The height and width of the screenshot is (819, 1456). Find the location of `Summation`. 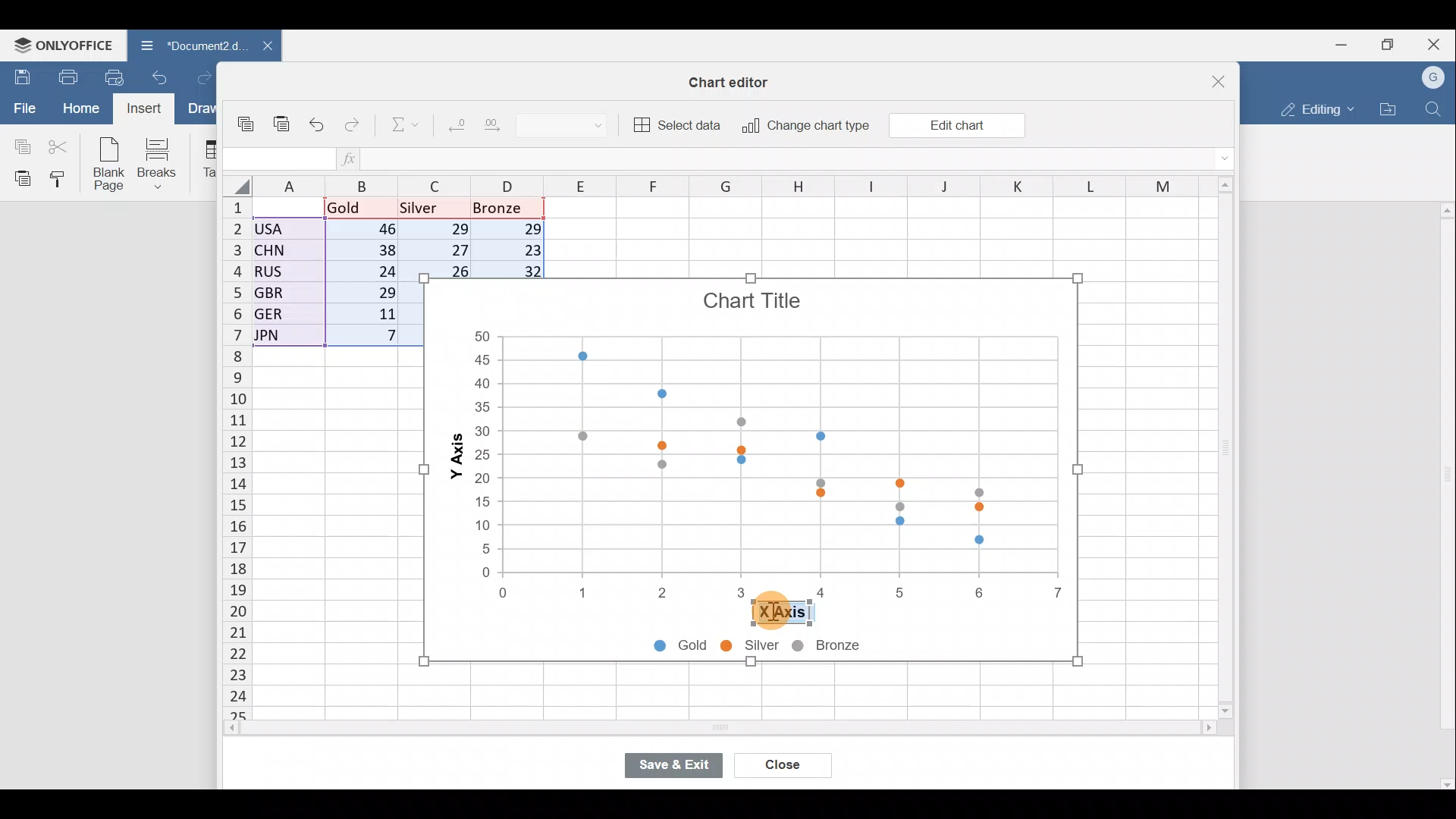

Summation is located at coordinates (397, 127).